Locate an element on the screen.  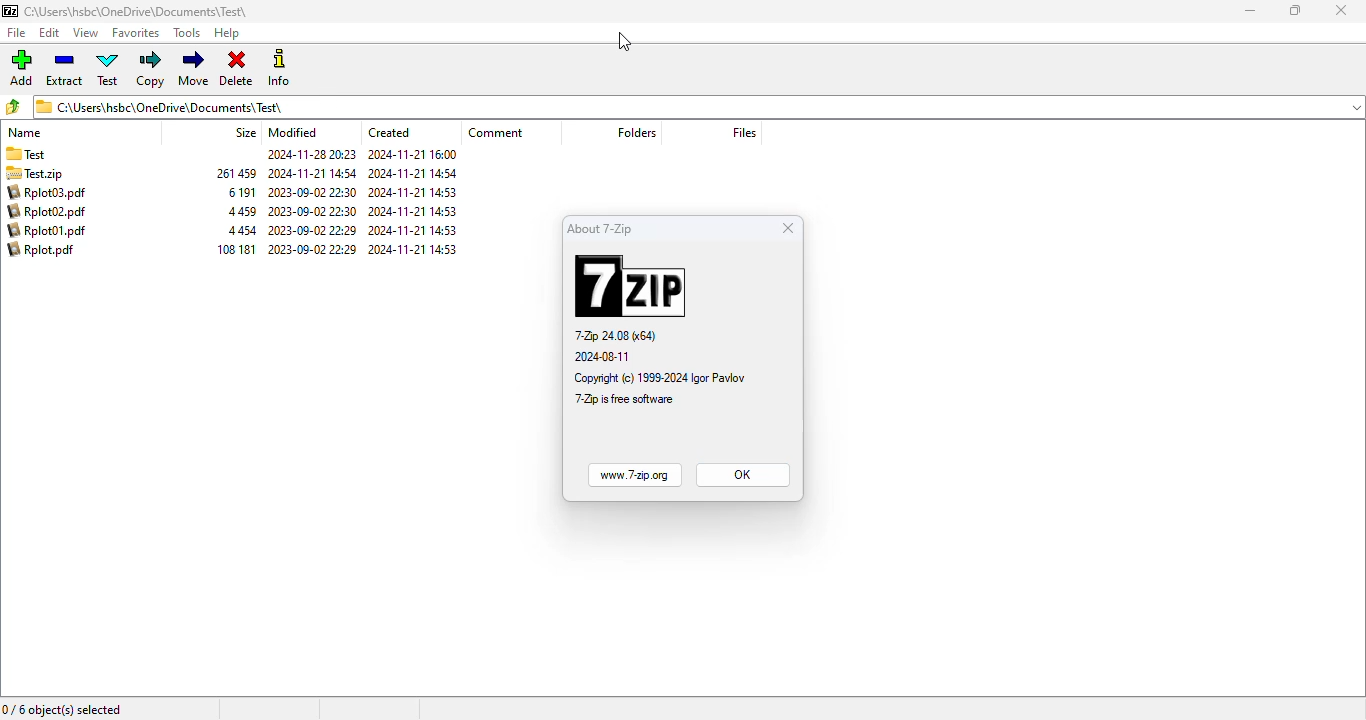
2024-11-21 16:00 is located at coordinates (416, 154).